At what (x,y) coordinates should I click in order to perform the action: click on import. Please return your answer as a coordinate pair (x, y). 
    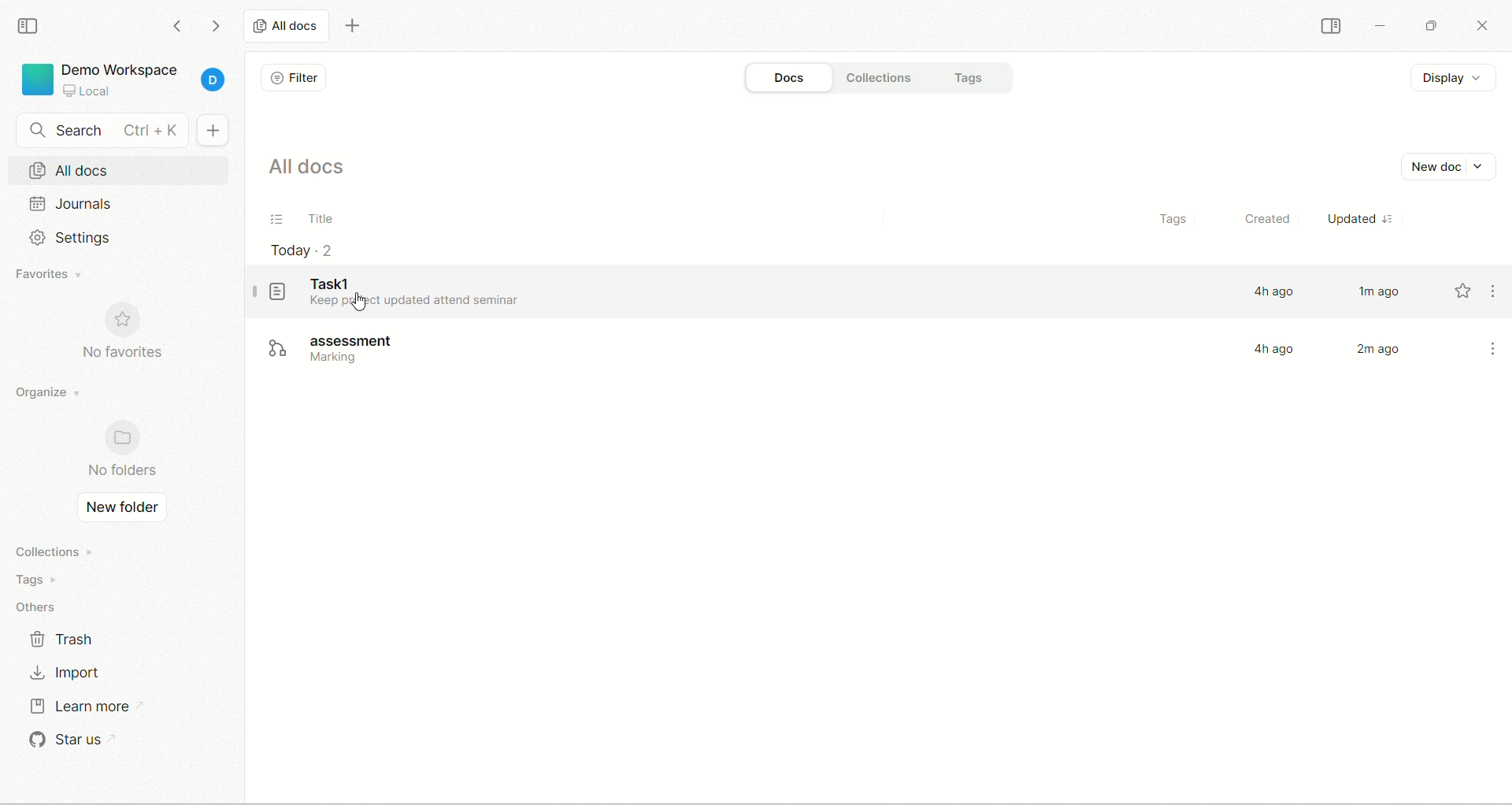
    Looking at the image, I should click on (65, 673).